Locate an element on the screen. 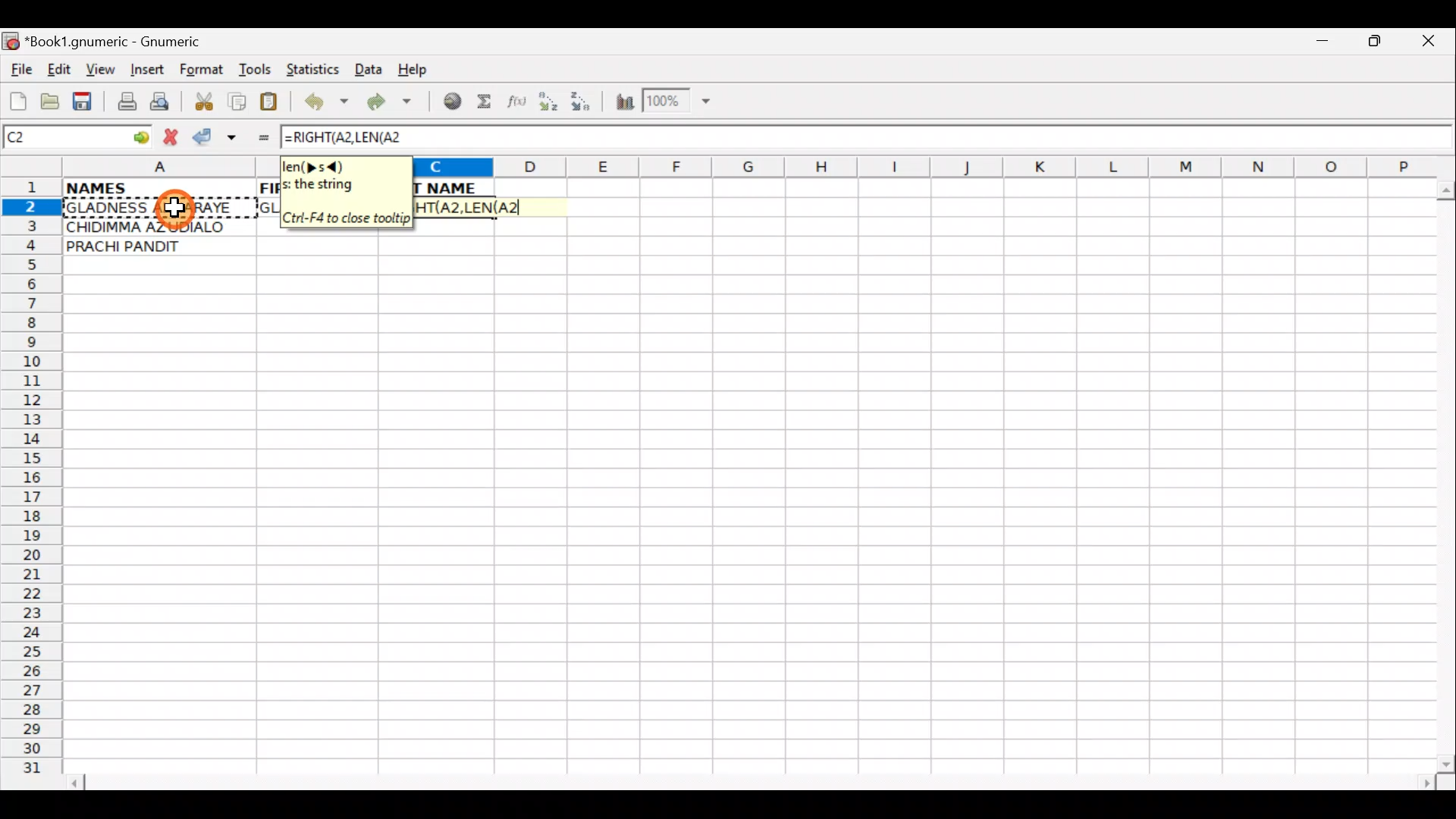  Columns is located at coordinates (930, 166).